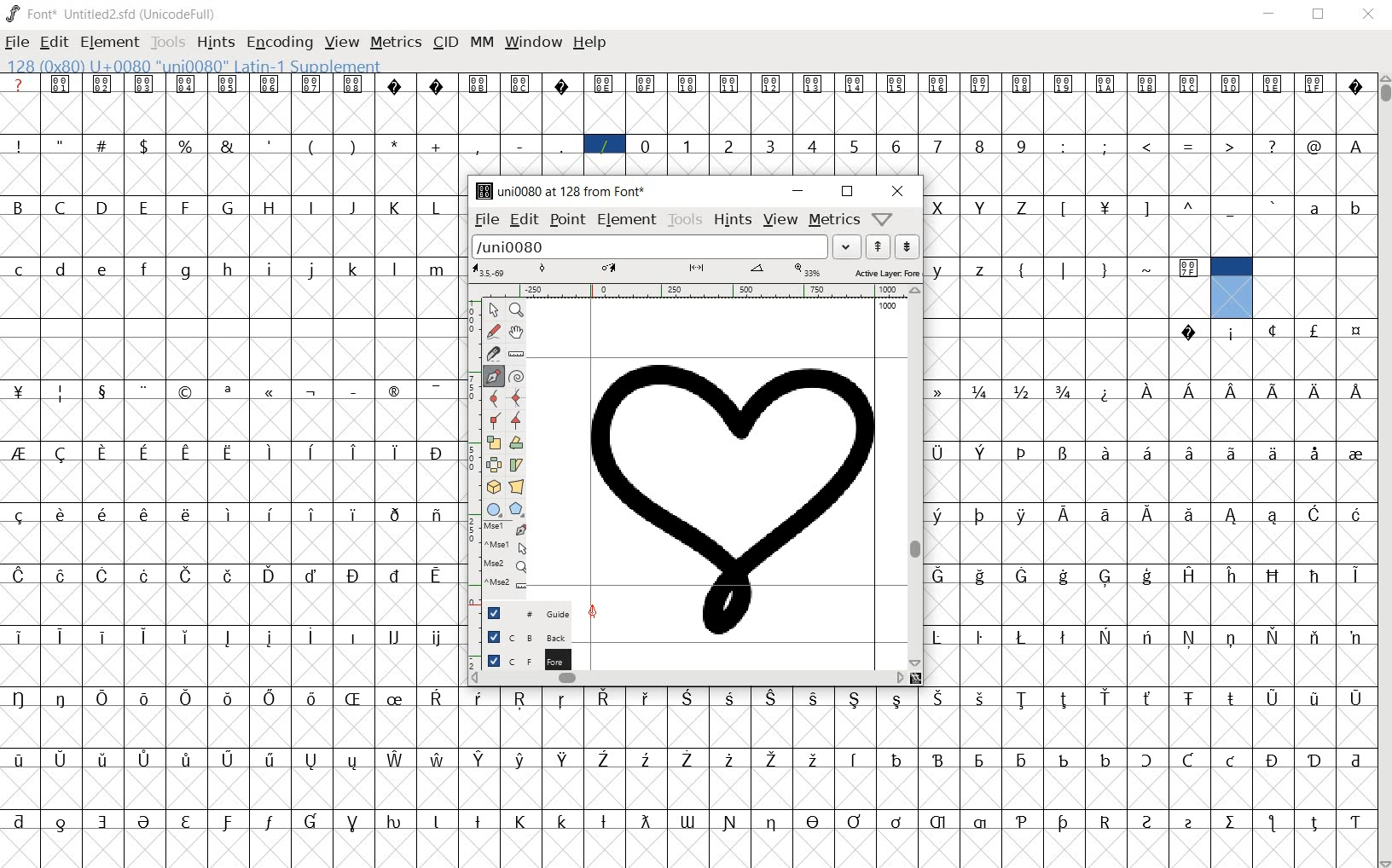  Describe the element at coordinates (351, 762) in the screenshot. I see `glyph` at that location.